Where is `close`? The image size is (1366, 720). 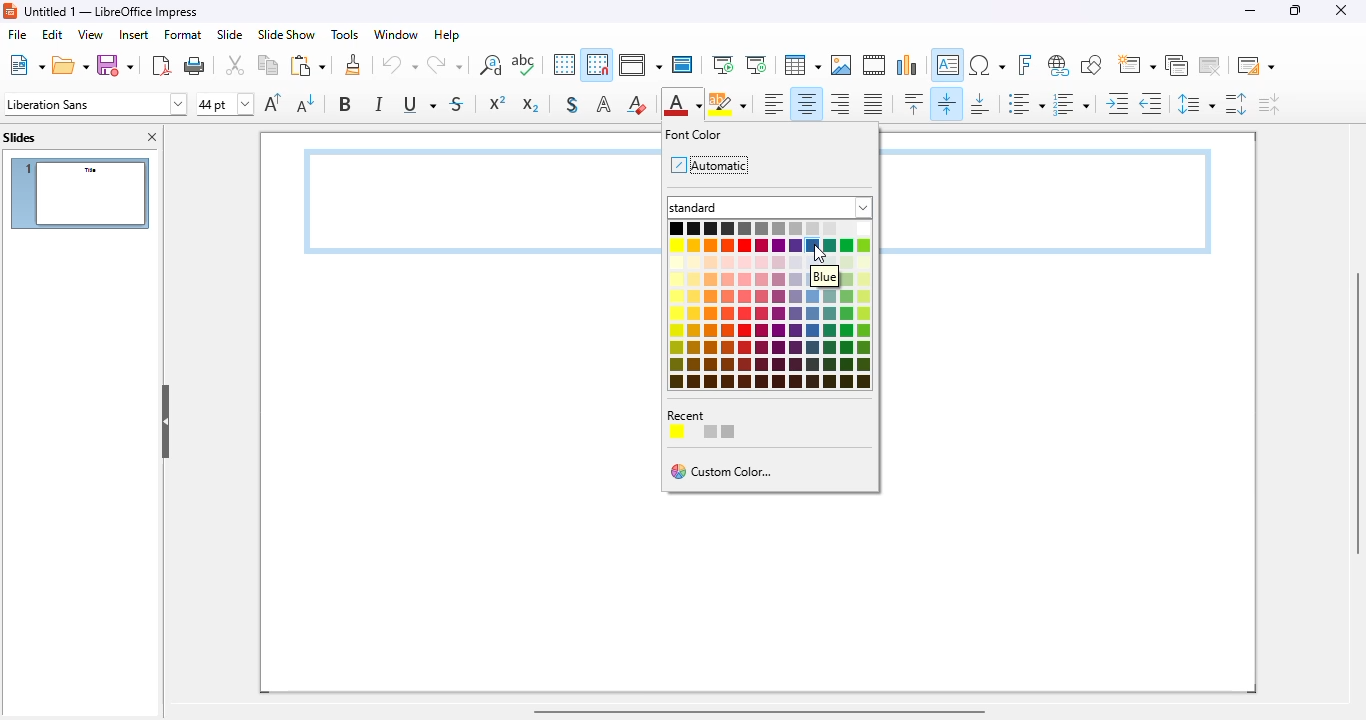
close is located at coordinates (1341, 10).